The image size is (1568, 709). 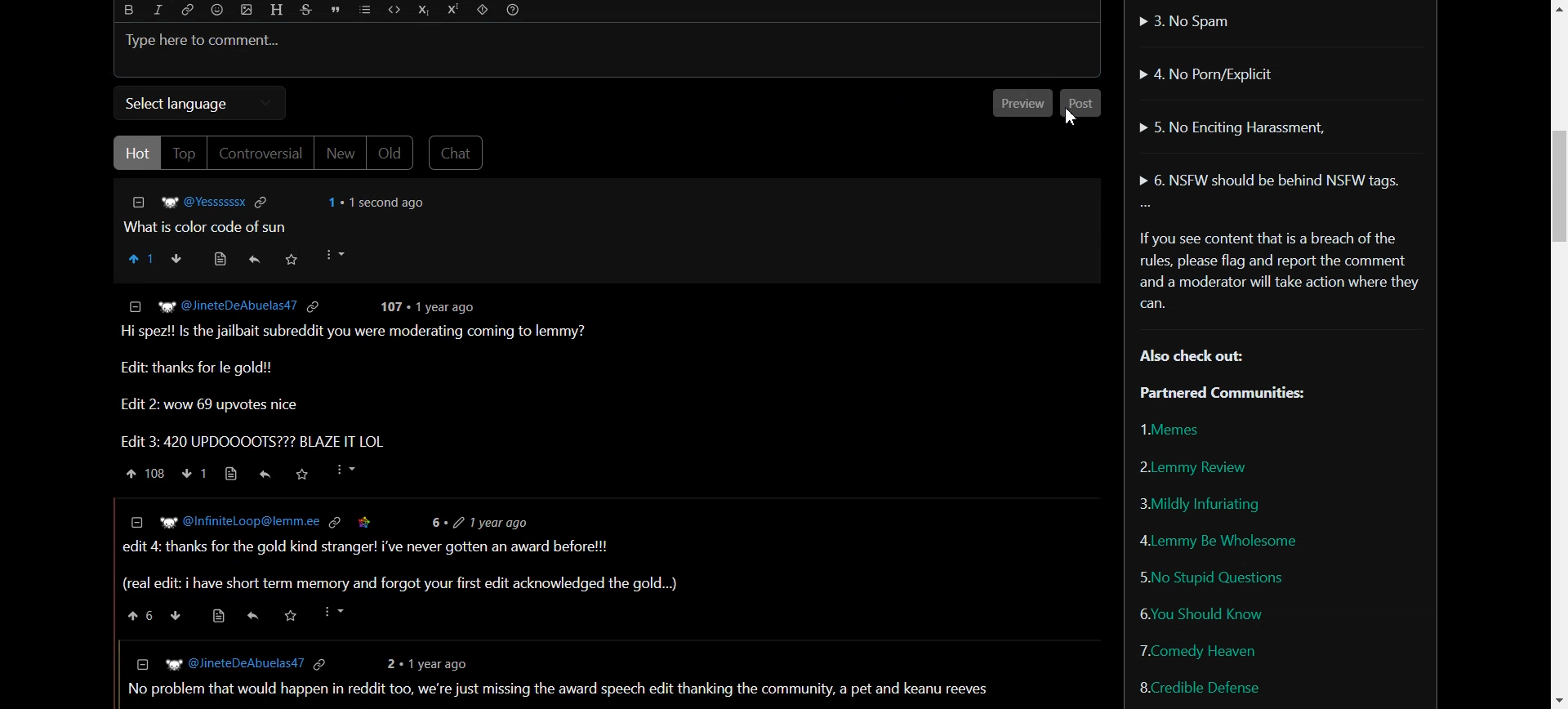 What do you see at coordinates (245, 663) in the screenshot?
I see `© [Eg @TheGoldenGod` at bounding box center [245, 663].